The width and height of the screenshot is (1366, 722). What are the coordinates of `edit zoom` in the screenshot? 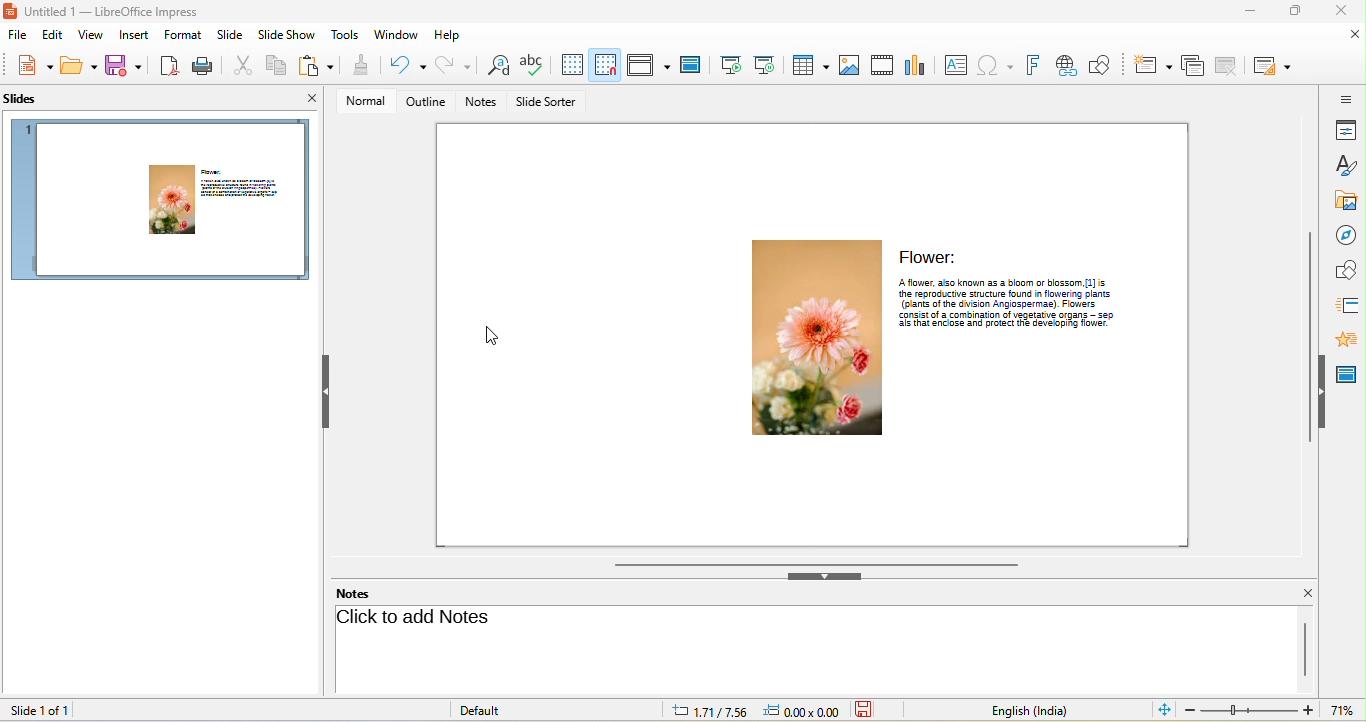 It's located at (1250, 711).